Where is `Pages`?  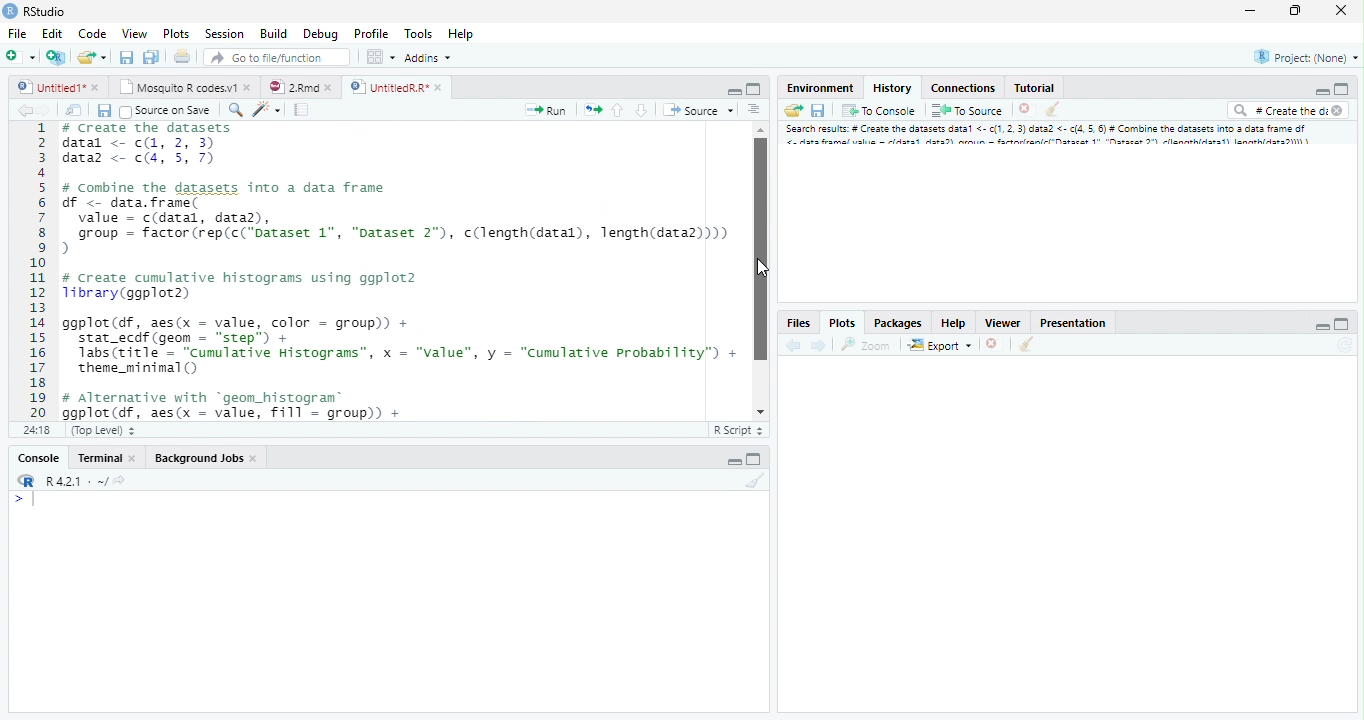
Pages is located at coordinates (300, 111).